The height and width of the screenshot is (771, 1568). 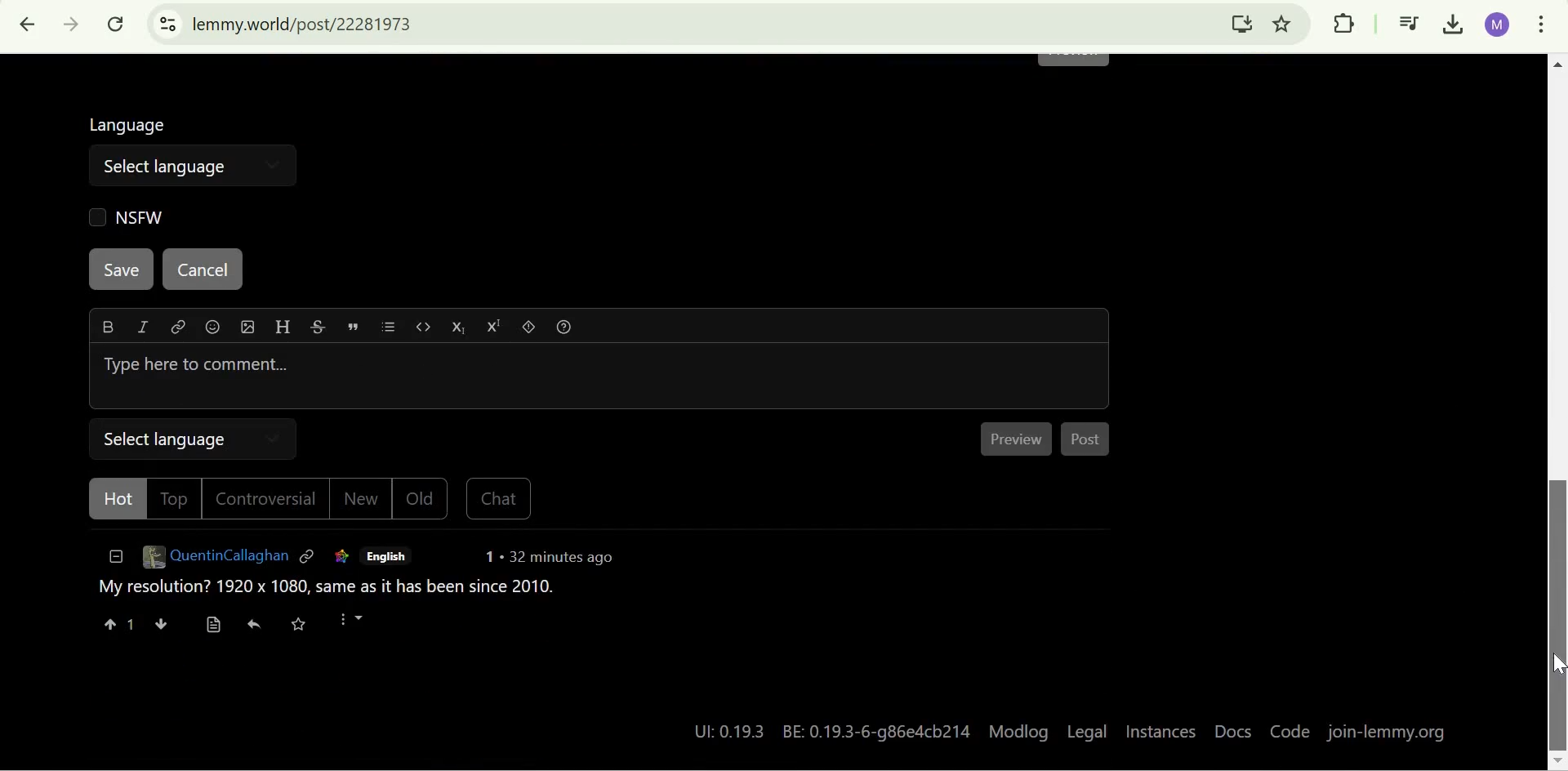 What do you see at coordinates (1389, 733) in the screenshot?
I see `join-lemmy.org` at bounding box center [1389, 733].